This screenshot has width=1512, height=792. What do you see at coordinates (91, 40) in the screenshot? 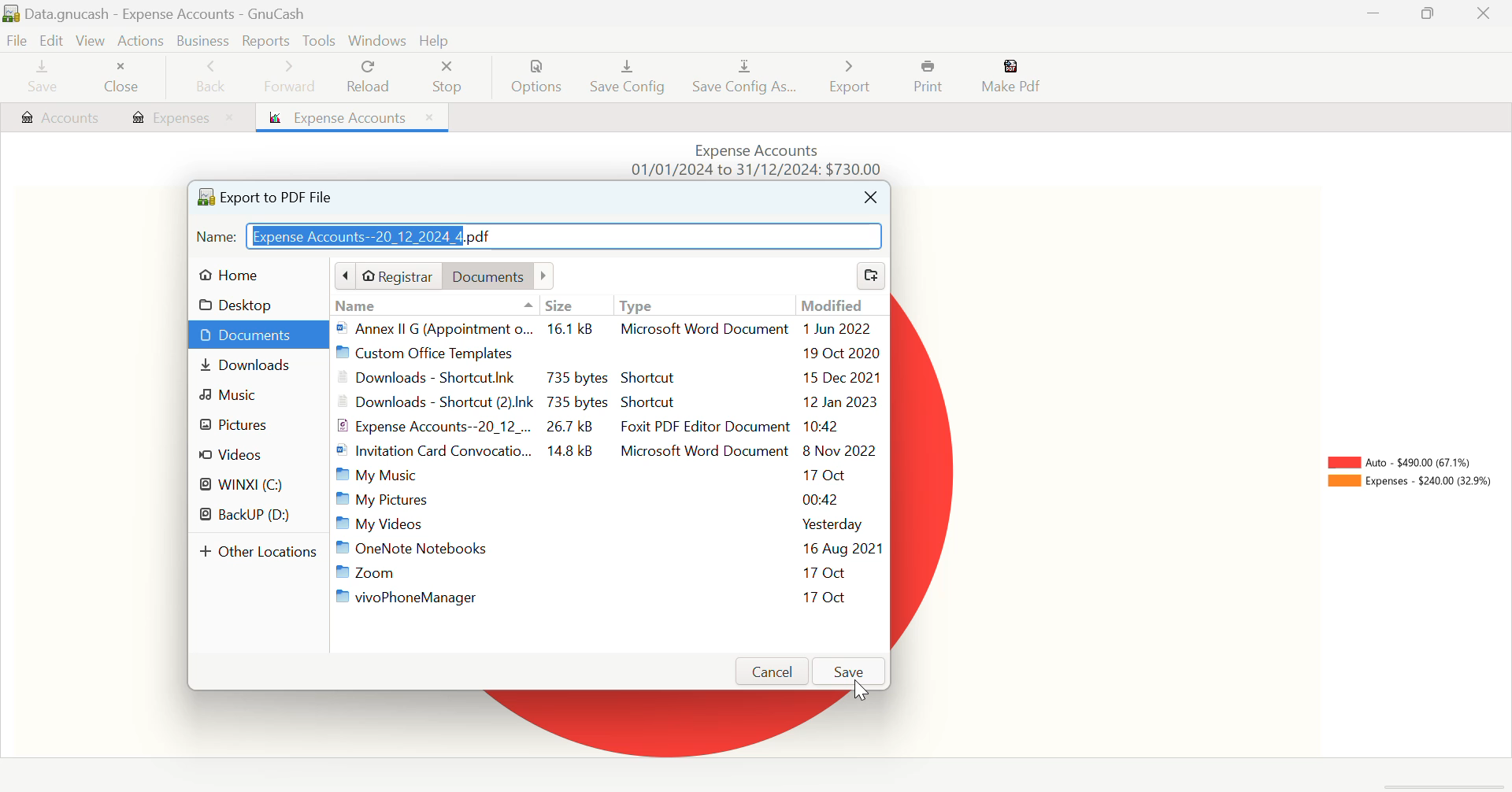
I see `View` at bounding box center [91, 40].